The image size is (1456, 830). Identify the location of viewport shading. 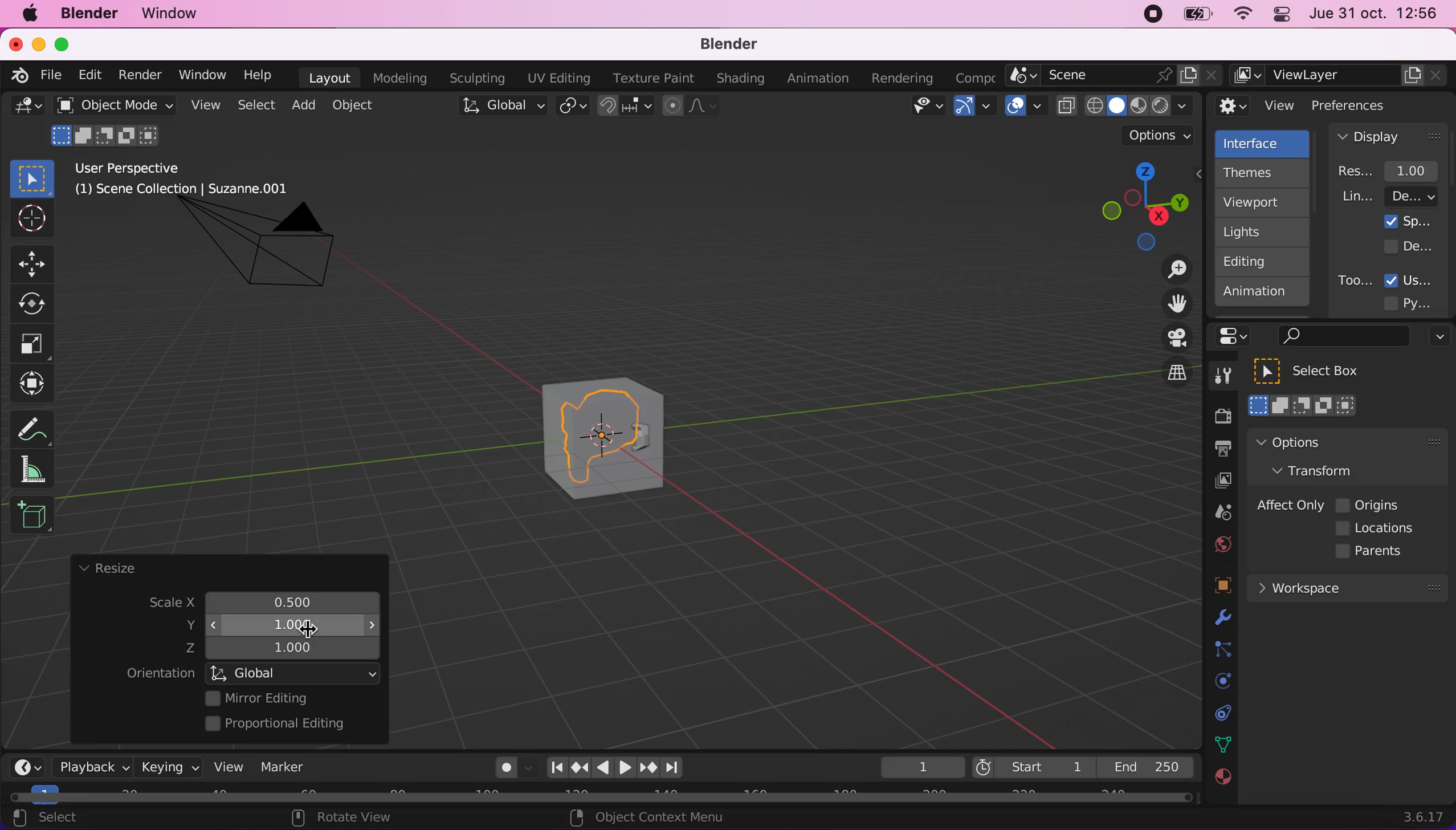
(1128, 105).